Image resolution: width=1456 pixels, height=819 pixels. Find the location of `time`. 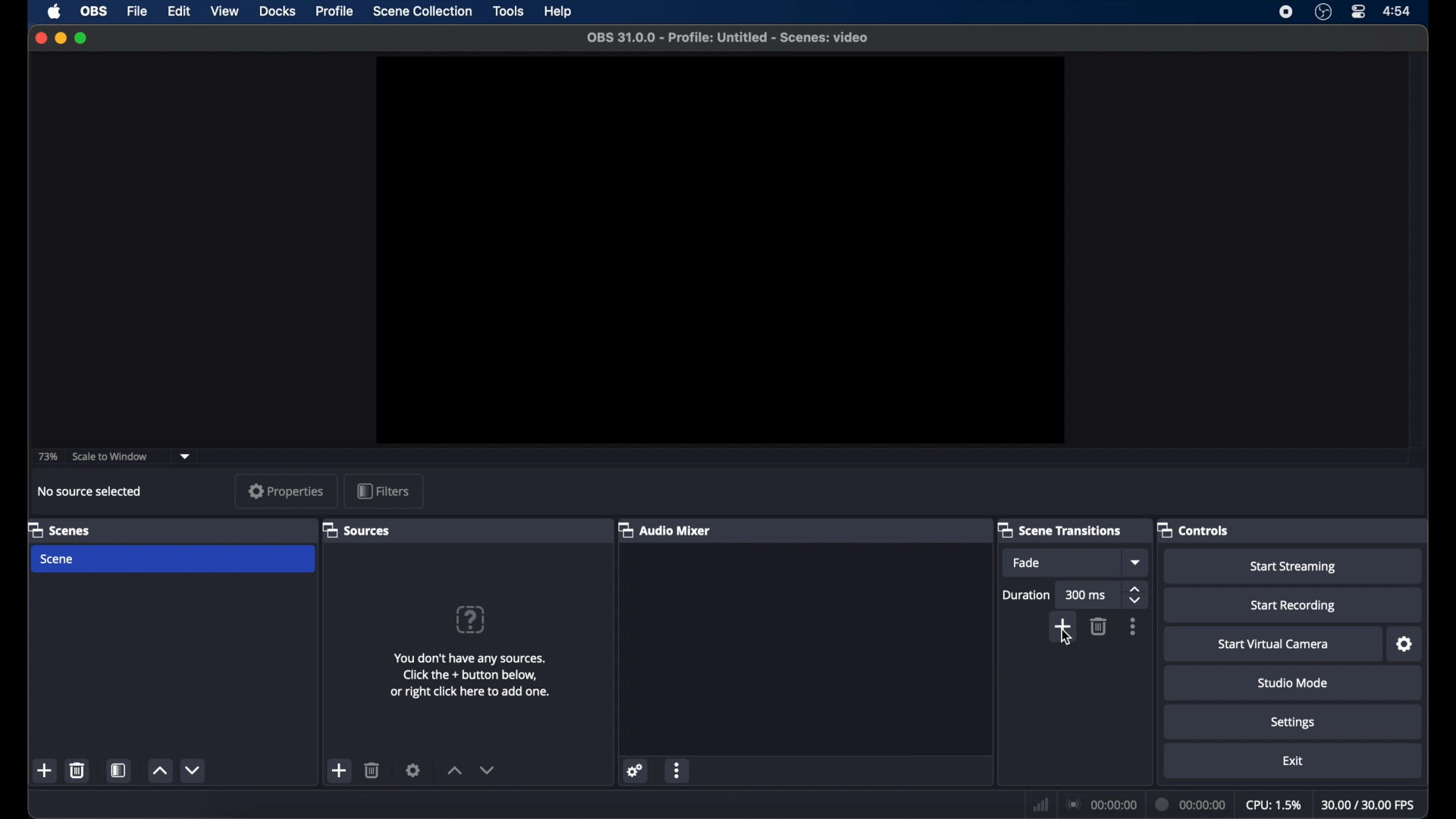

time is located at coordinates (1398, 12).